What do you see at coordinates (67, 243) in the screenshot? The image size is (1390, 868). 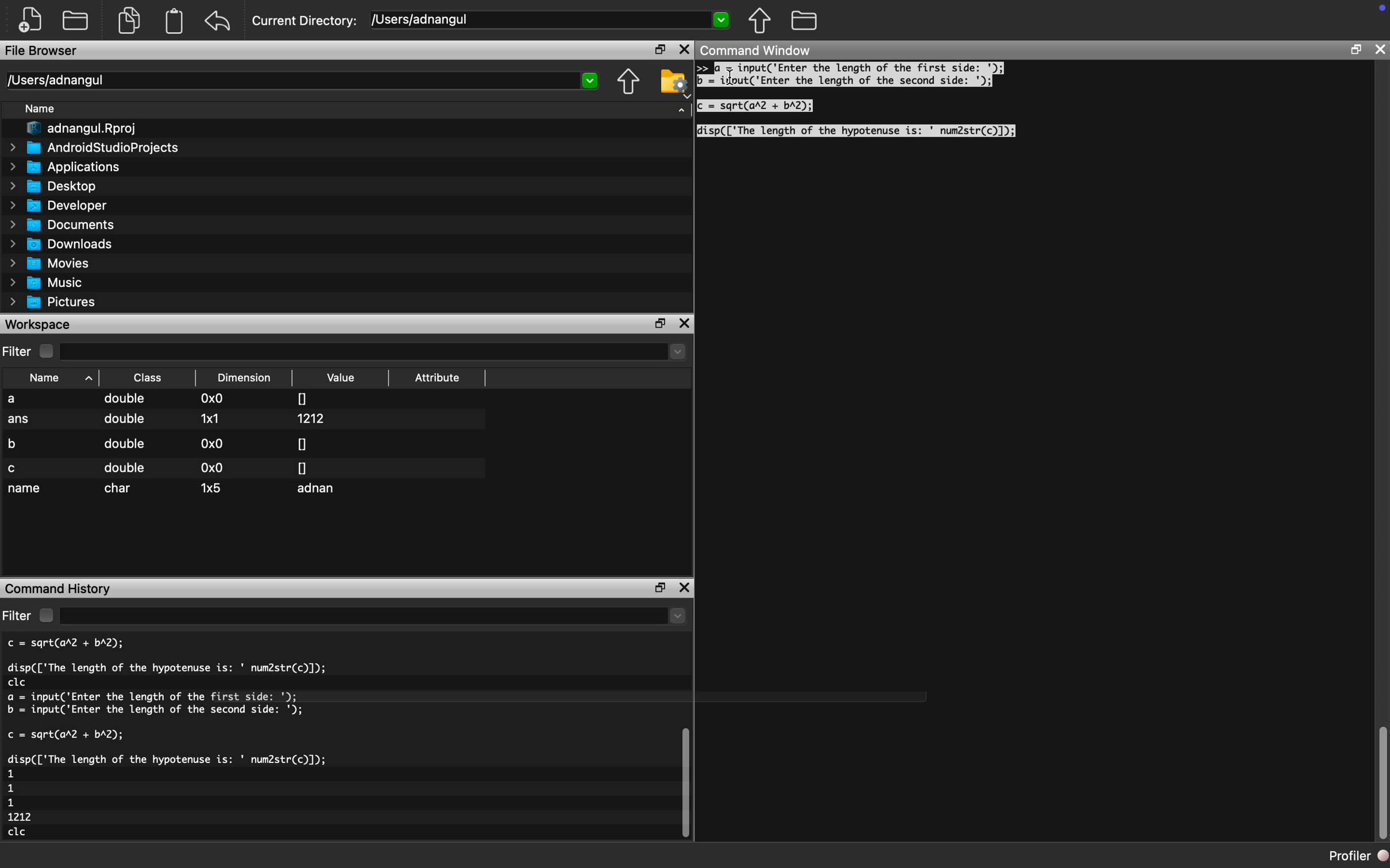 I see ` Downloads` at bounding box center [67, 243].